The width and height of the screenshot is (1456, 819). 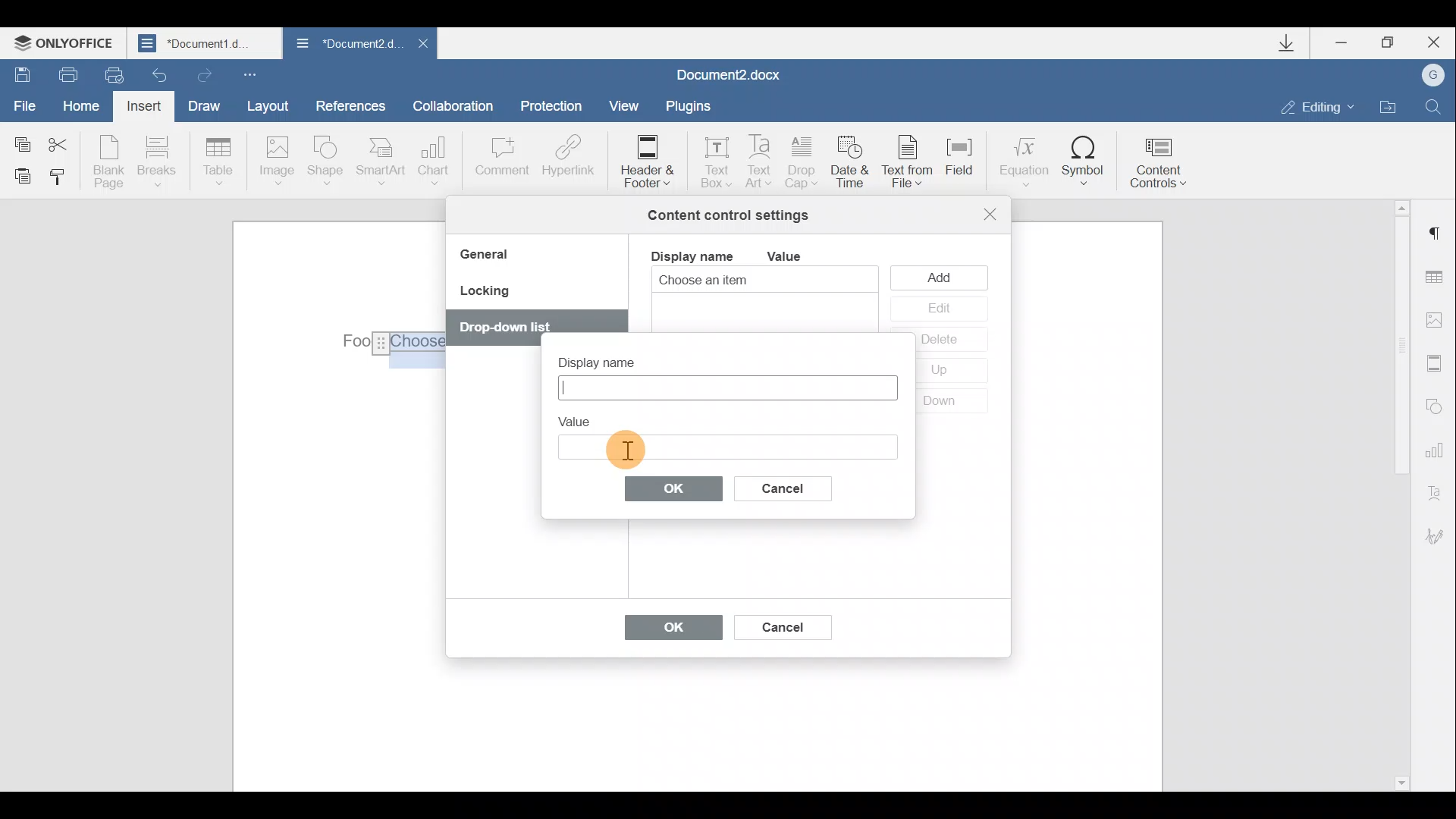 I want to click on Home, so click(x=86, y=108).